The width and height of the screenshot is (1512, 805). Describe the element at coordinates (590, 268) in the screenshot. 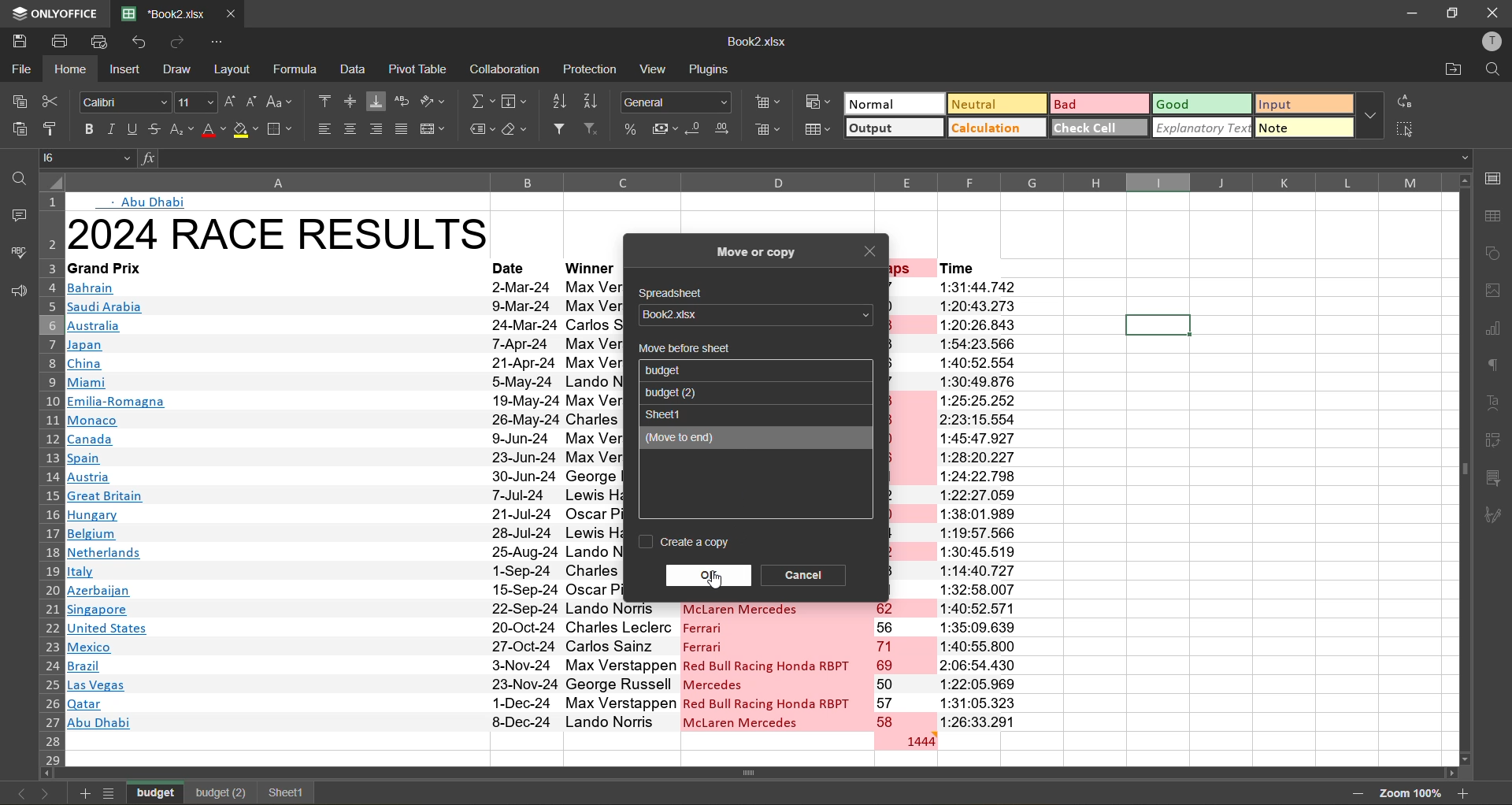

I see `winner` at that location.